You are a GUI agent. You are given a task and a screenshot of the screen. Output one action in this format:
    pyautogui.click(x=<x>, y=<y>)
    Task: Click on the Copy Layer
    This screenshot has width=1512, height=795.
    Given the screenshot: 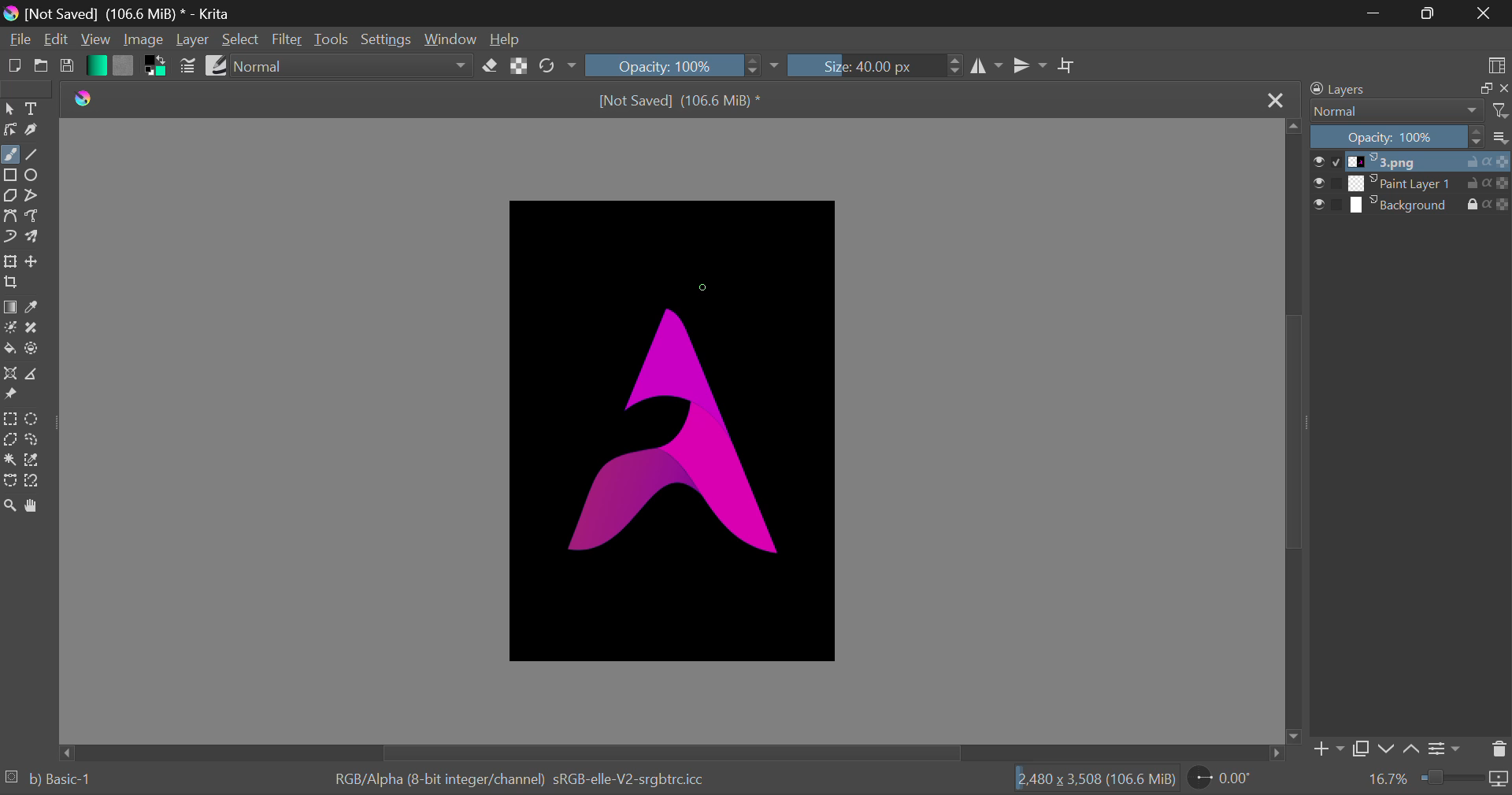 What is the action you would take?
    pyautogui.click(x=1365, y=749)
    